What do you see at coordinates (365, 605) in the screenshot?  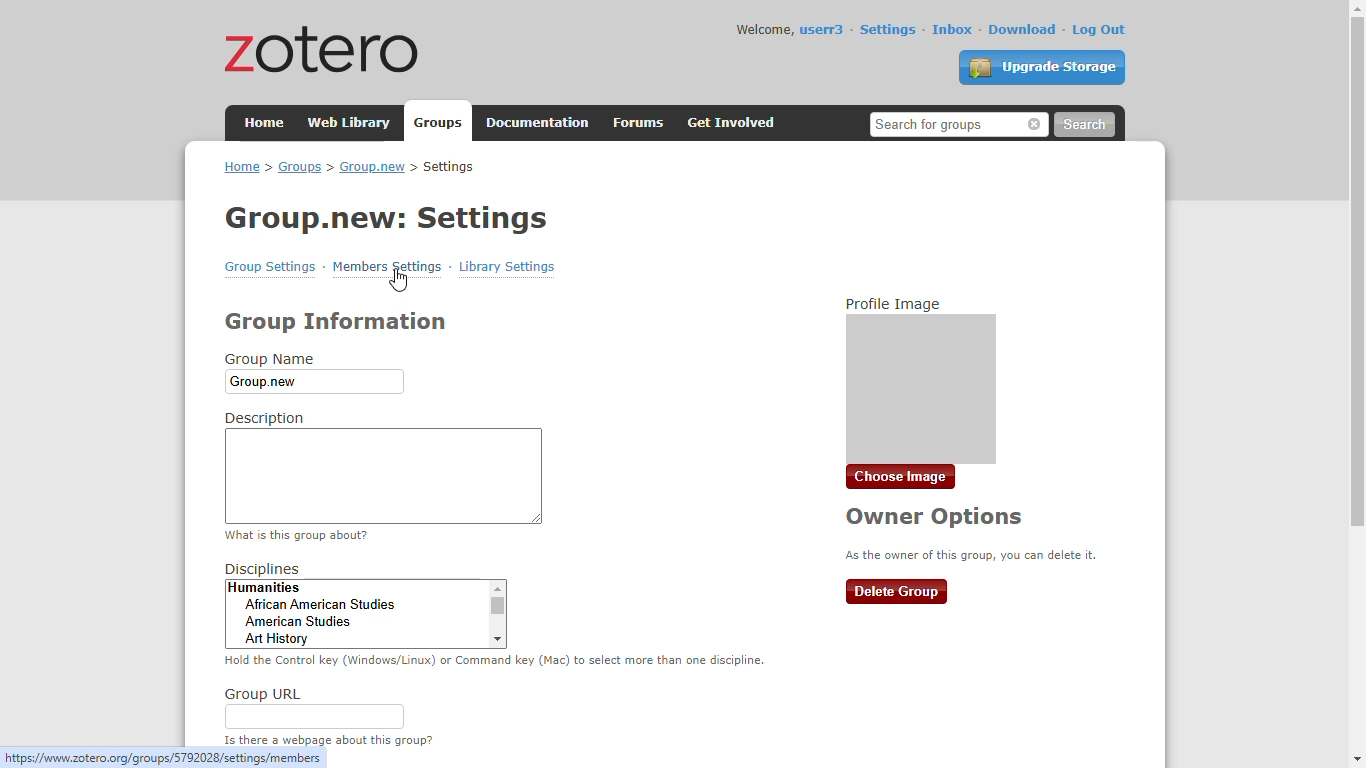 I see `disciplines` at bounding box center [365, 605].